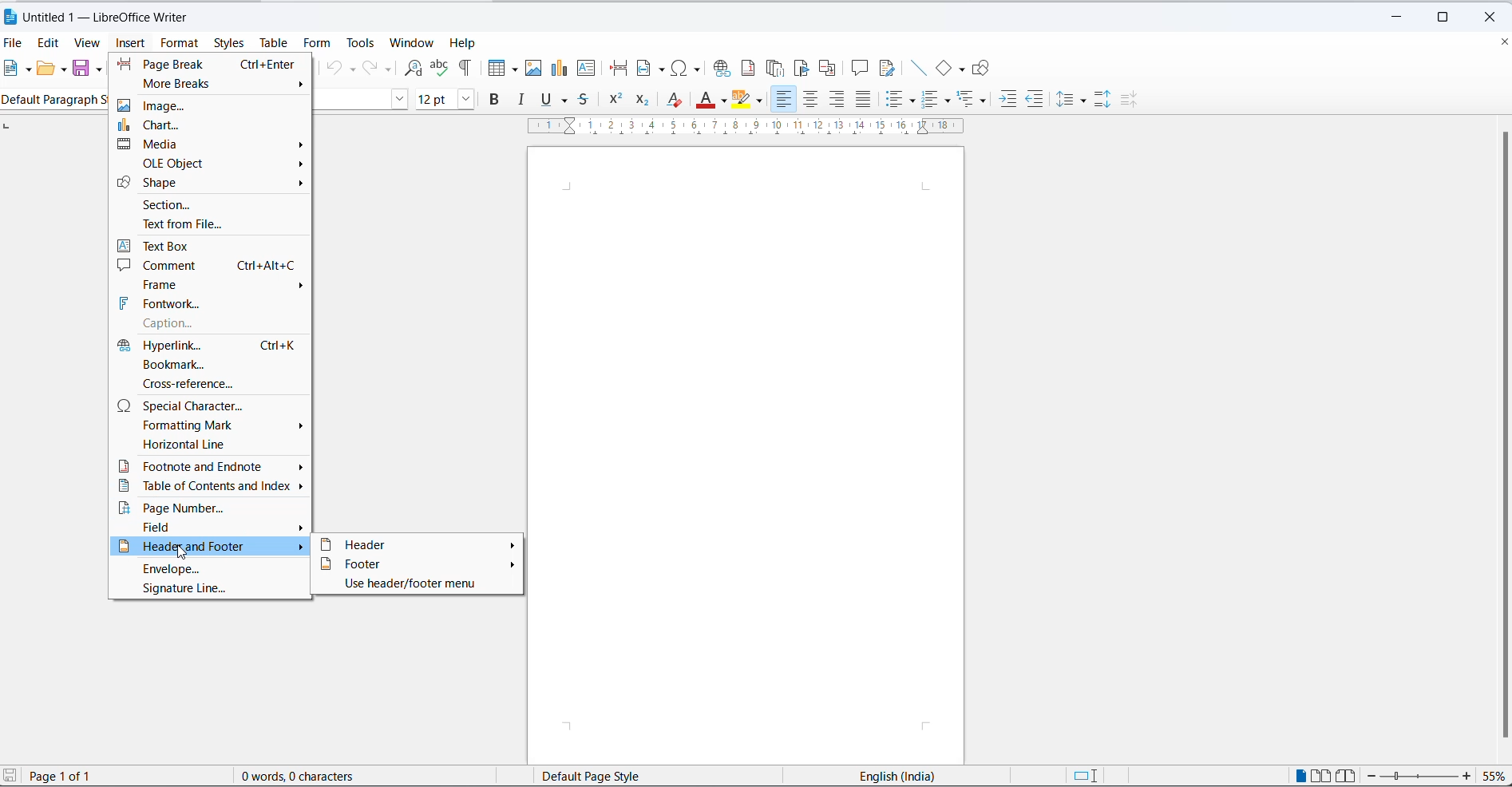  What do you see at coordinates (214, 164) in the screenshot?
I see `OLE Object` at bounding box center [214, 164].